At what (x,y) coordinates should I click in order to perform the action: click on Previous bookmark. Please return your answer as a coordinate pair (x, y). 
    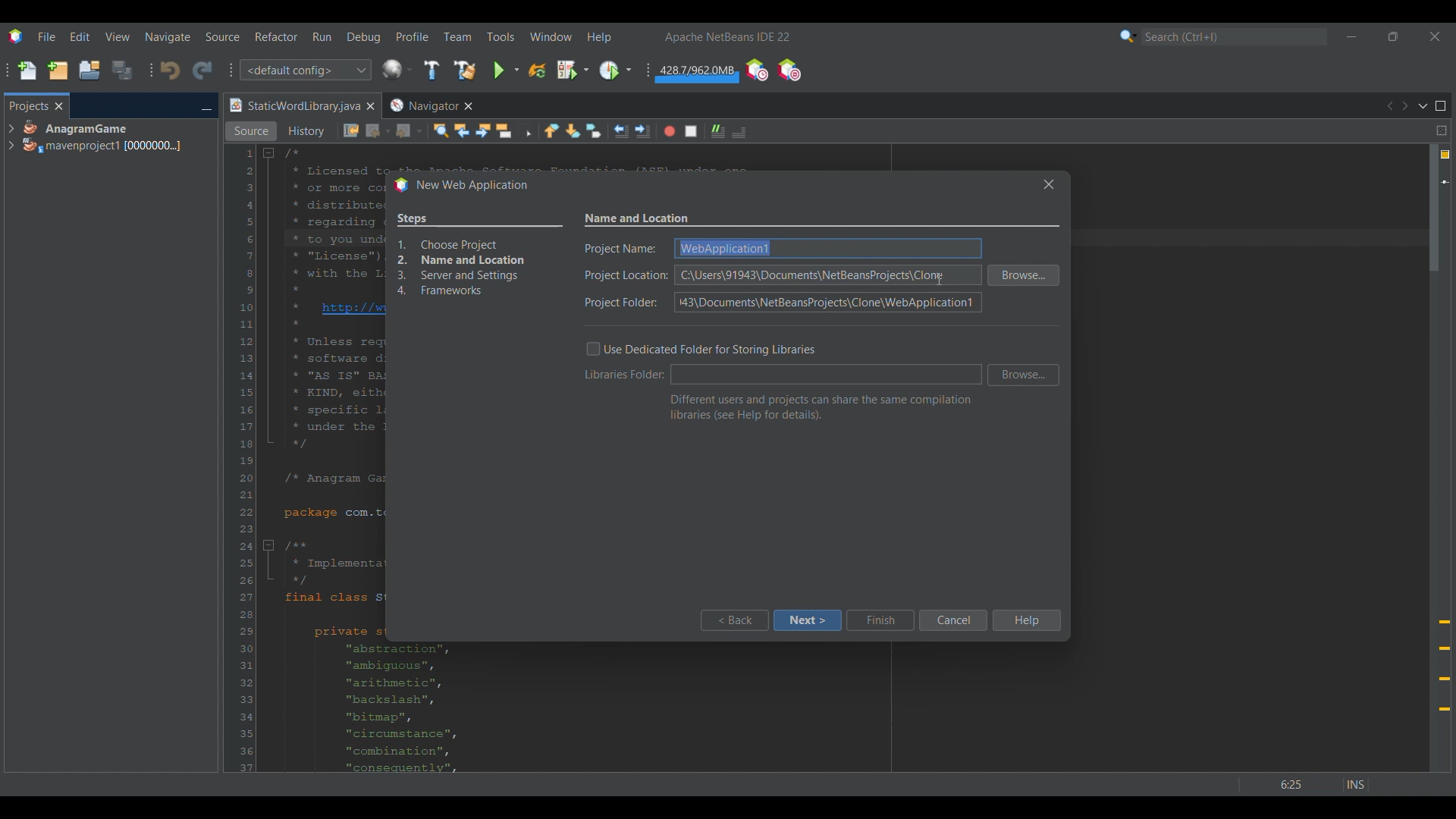
    Looking at the image, I should click on (551, 130).